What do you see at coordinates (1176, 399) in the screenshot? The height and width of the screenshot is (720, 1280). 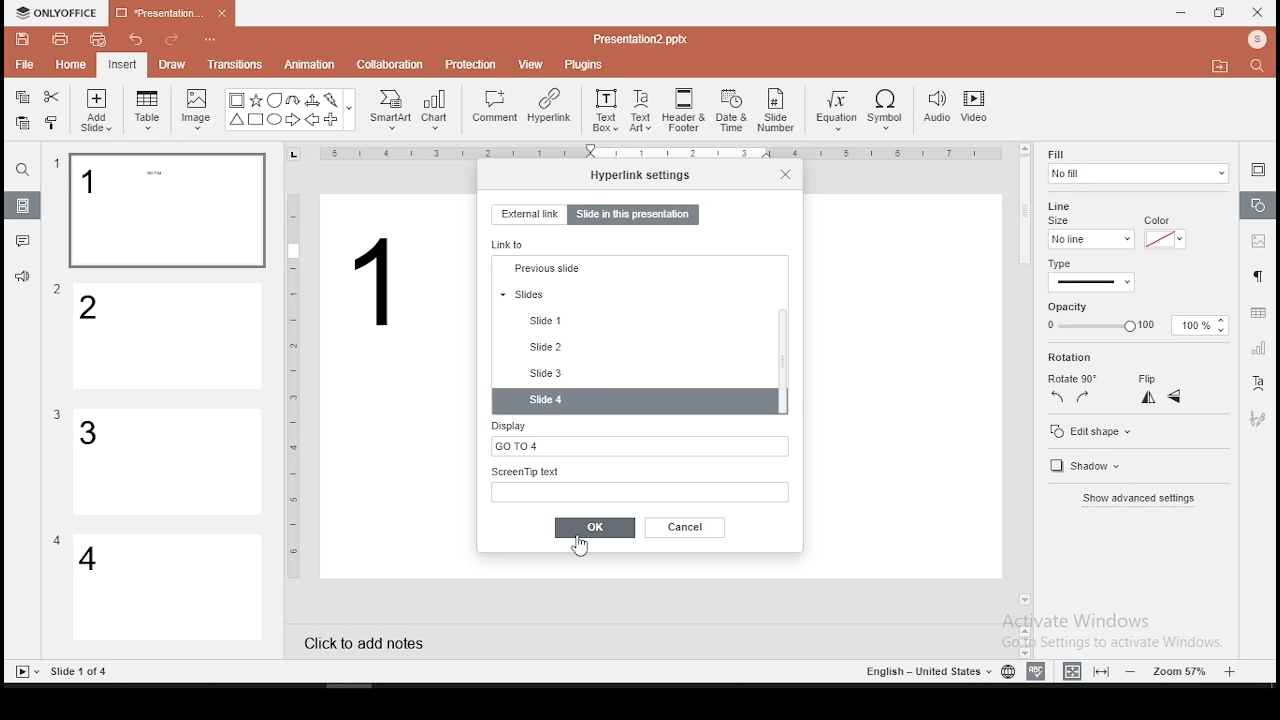 I see `flip vertical` at bounding box center [1176, 399].